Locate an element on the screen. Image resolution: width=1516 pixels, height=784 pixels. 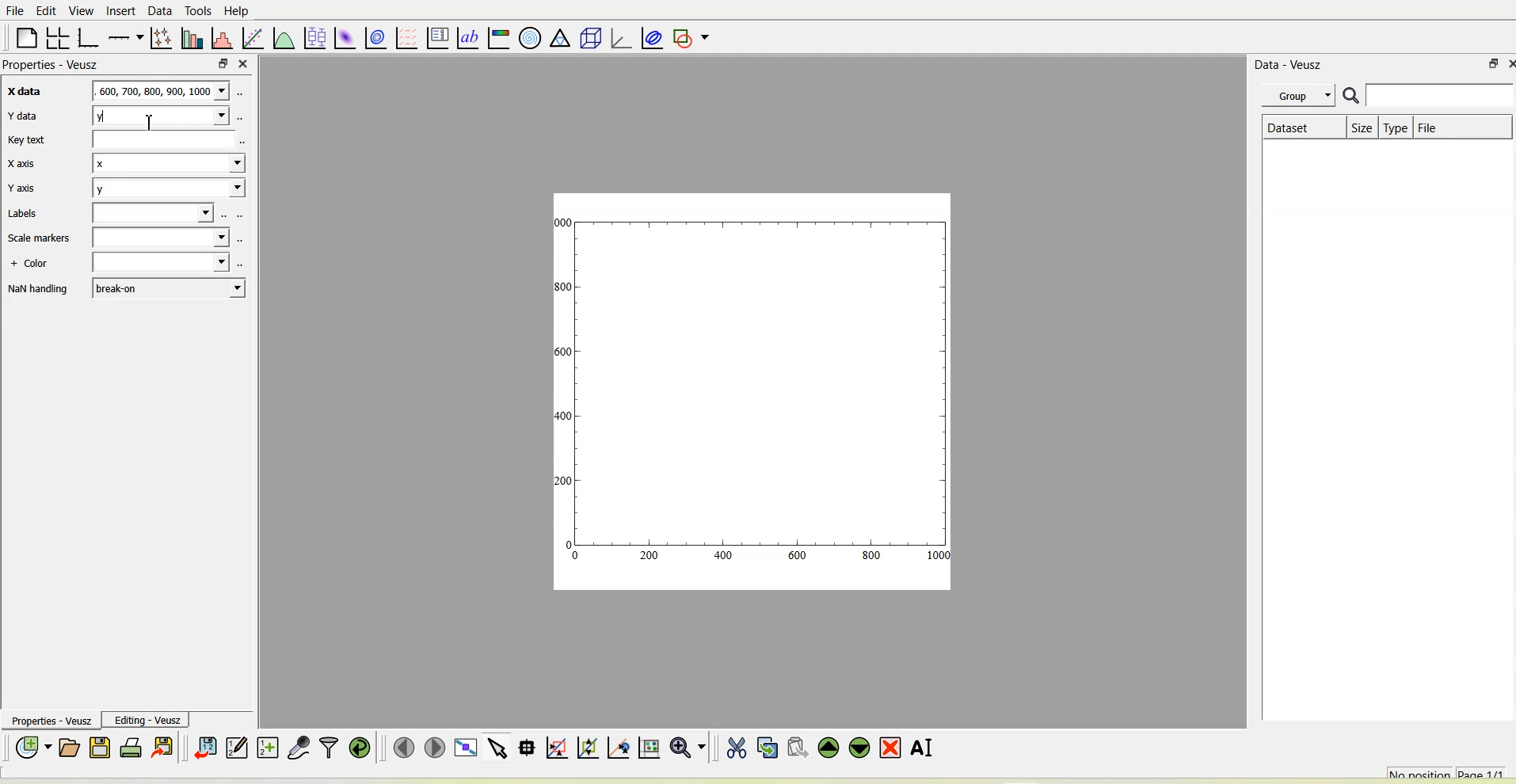
Base graph is located at coordinates (87, 38).